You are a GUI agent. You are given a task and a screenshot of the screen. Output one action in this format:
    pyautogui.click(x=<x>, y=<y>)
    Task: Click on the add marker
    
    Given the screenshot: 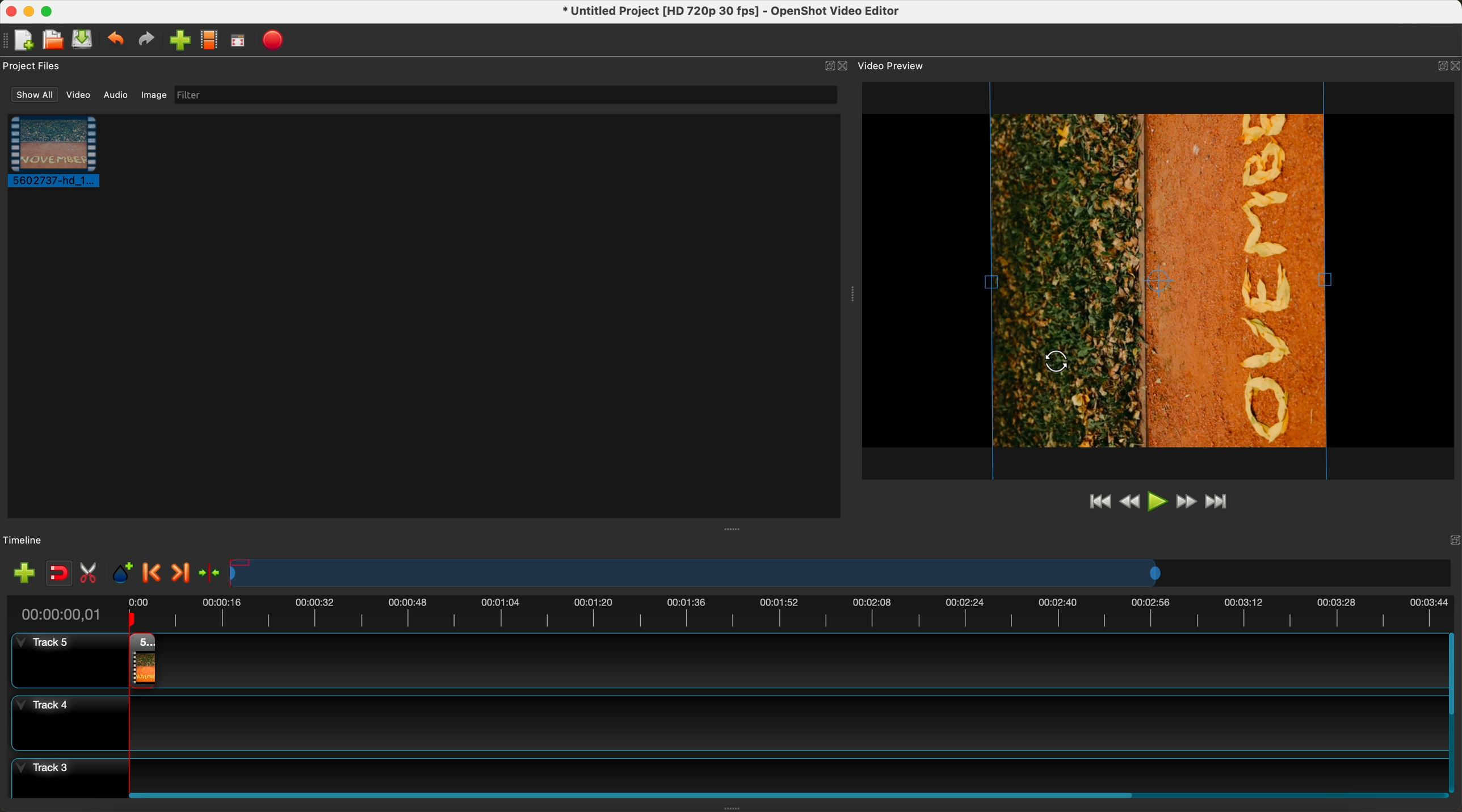 What is the action you would take?
    pyautogui.click(x=123, y=574)
    